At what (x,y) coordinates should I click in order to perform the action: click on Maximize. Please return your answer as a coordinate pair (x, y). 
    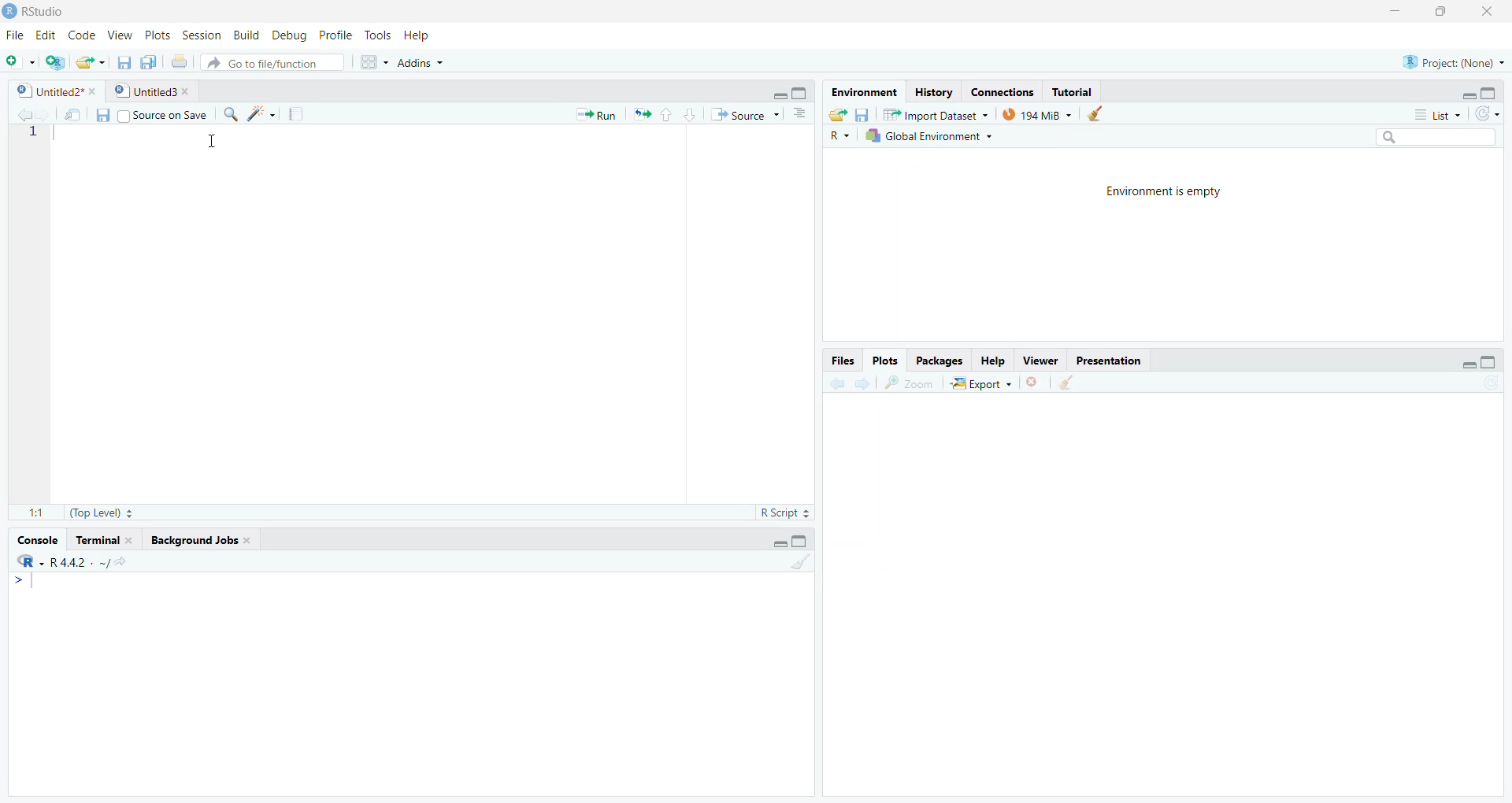
    Looking at the image, I should click on (1440, 12).